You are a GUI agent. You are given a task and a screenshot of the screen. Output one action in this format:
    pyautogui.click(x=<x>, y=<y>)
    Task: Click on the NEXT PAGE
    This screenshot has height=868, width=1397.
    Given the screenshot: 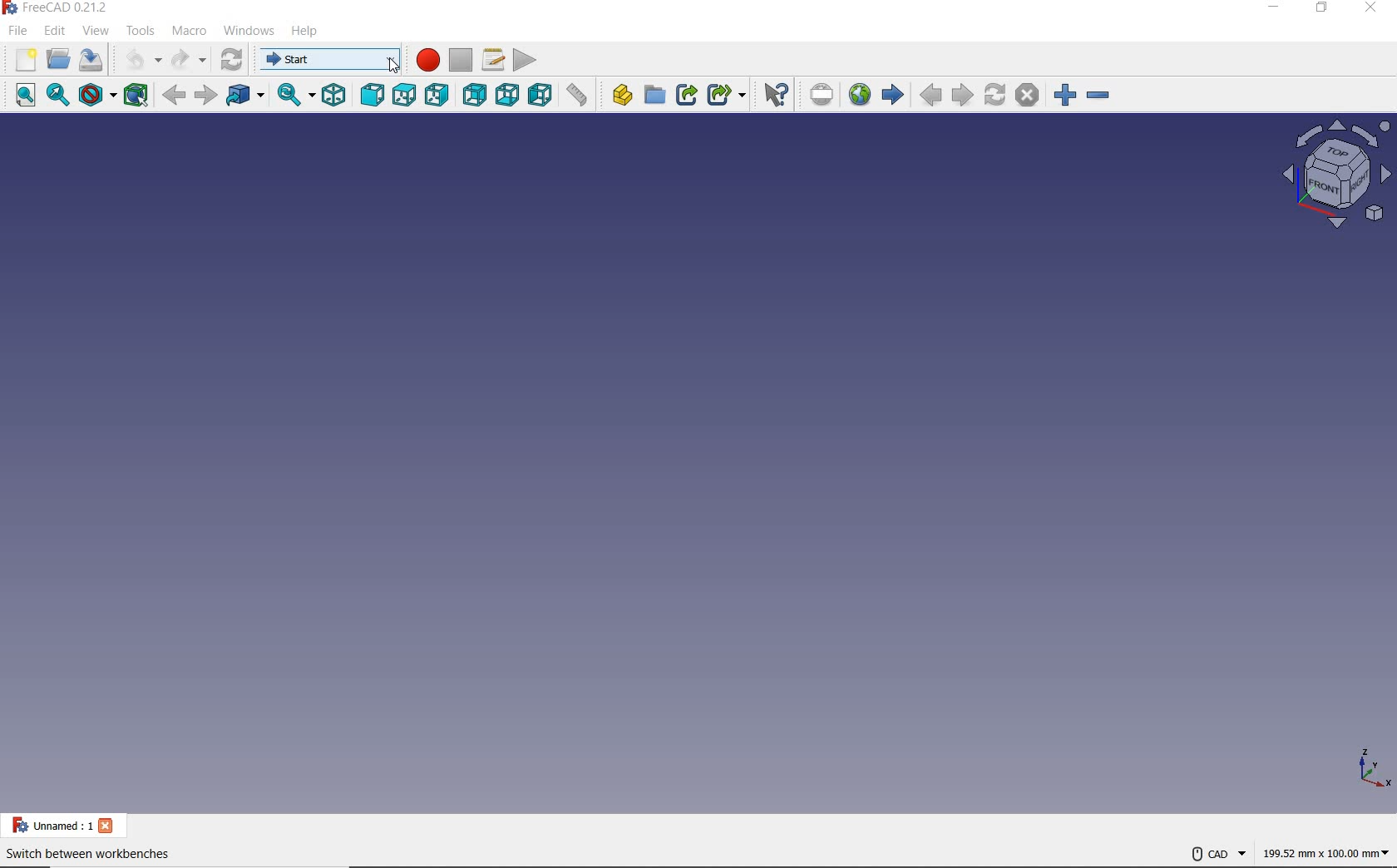 What is the action you would take?
    pyautogui.click(x=962, y=95)
    